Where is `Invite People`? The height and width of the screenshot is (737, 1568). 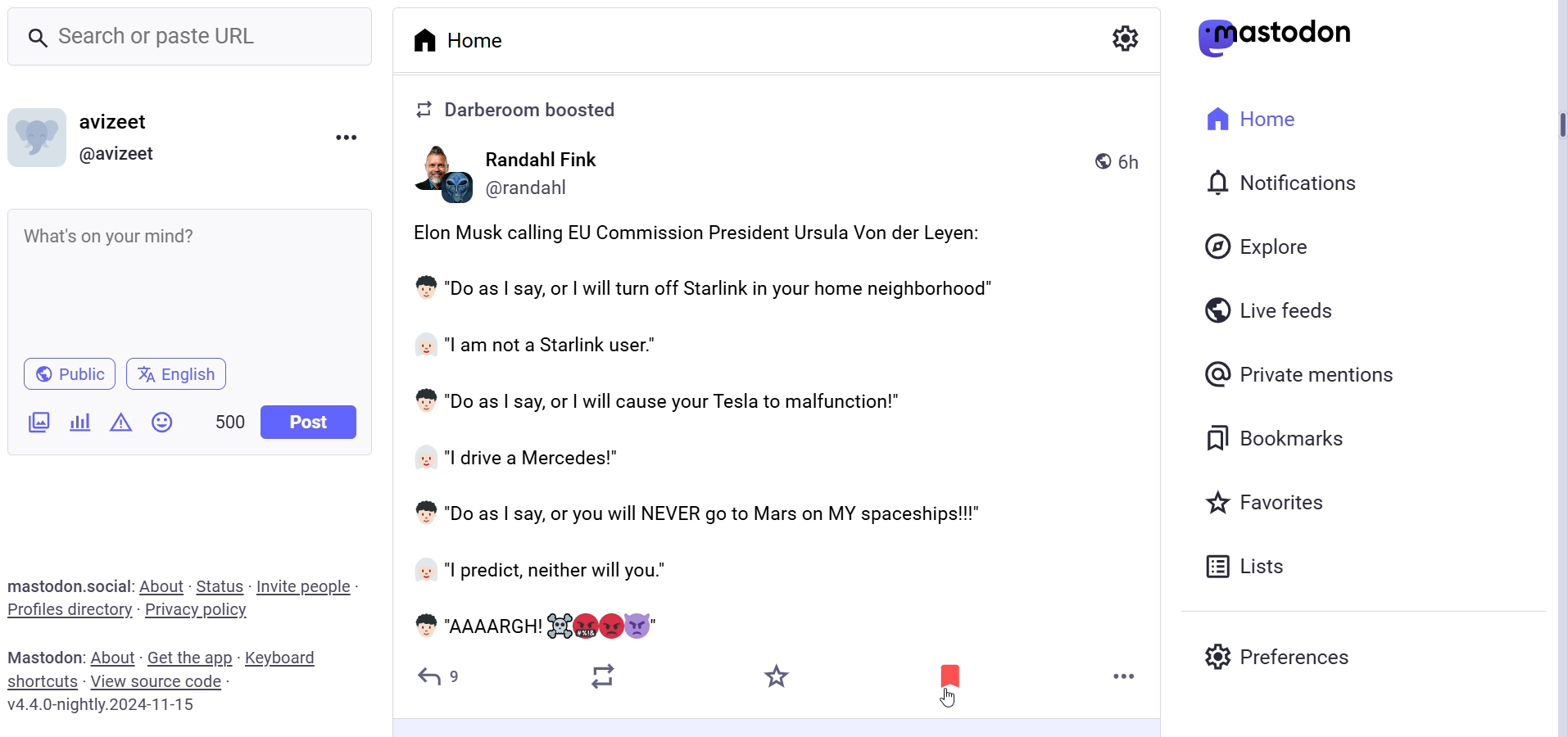
Invite People is located at coordinates (305, 588).